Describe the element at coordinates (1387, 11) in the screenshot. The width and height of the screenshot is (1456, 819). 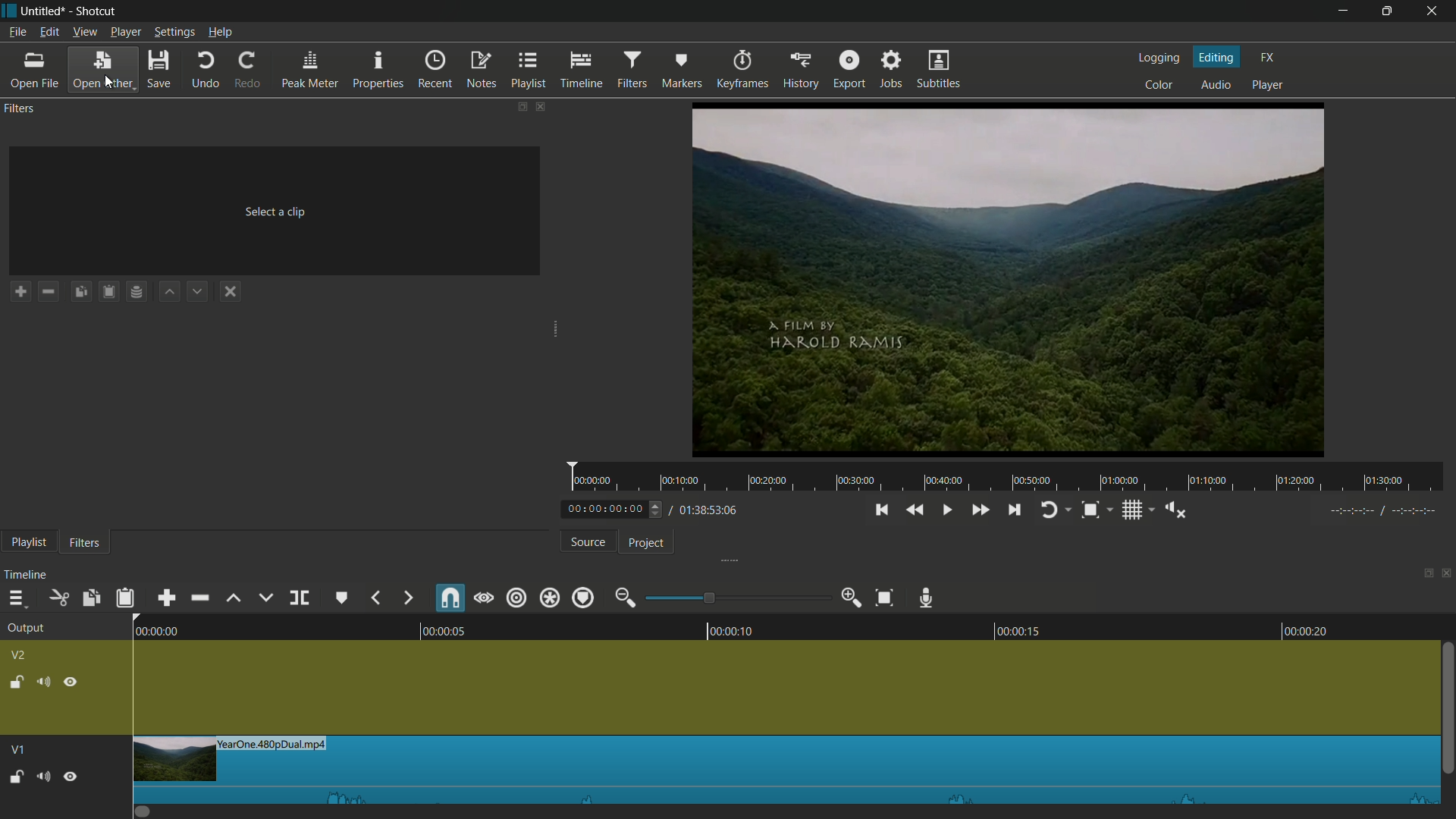
I see `maximize` at that location.